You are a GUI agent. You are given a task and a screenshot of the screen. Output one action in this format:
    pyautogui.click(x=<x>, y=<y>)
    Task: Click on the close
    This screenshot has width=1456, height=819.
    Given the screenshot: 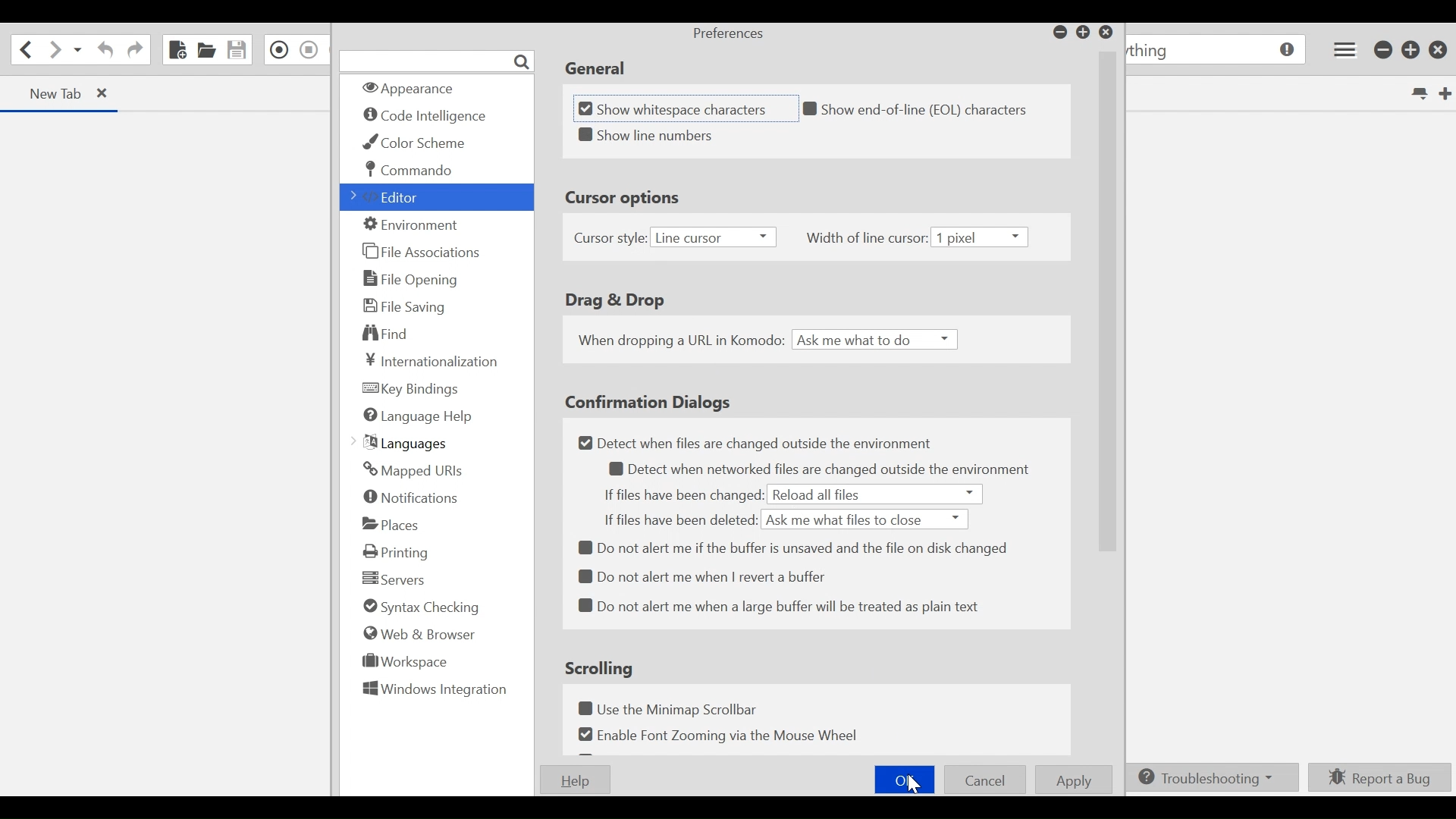 What is the action you would take?
    pyautogui.click(x=1109, y=33)
    